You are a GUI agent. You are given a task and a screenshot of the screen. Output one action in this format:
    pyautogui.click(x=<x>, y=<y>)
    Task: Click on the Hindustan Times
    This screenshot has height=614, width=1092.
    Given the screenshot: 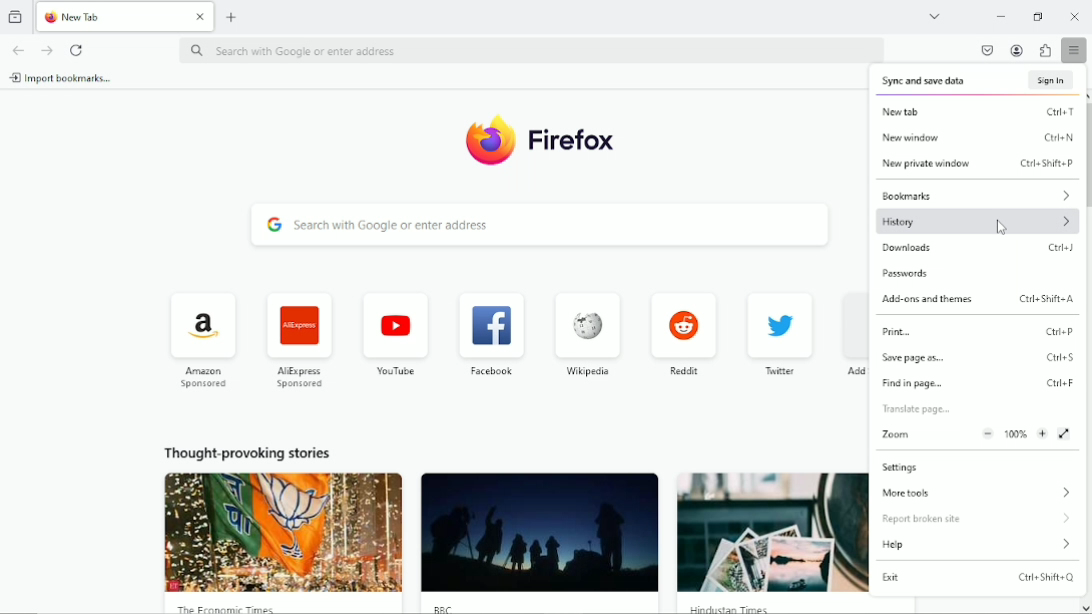 What is the action you would take?
    pyautogui.click(x=735, y=608)
    